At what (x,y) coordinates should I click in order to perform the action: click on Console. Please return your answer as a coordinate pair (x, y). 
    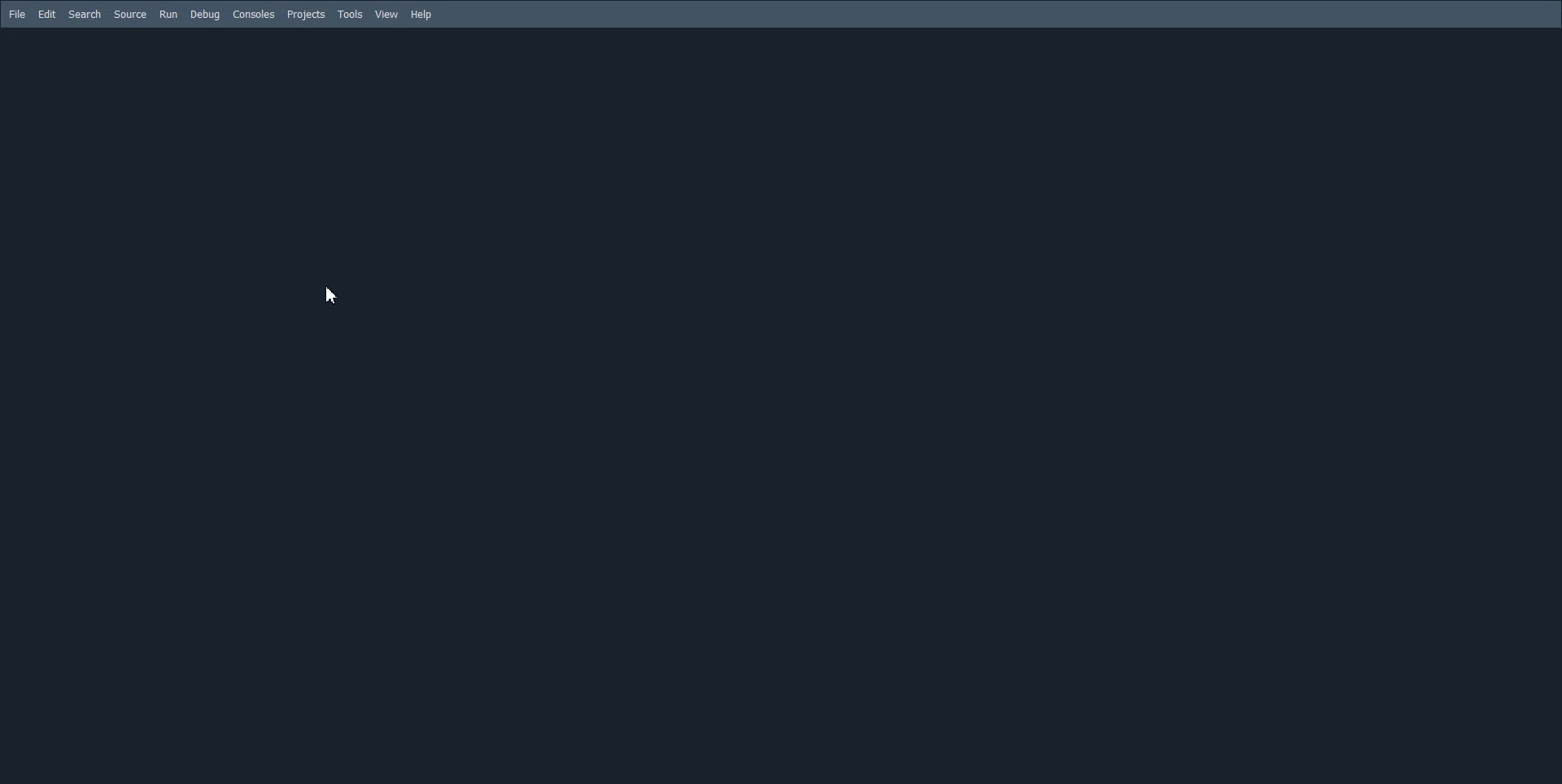
    Looking at the image, I should click on (253, 15).